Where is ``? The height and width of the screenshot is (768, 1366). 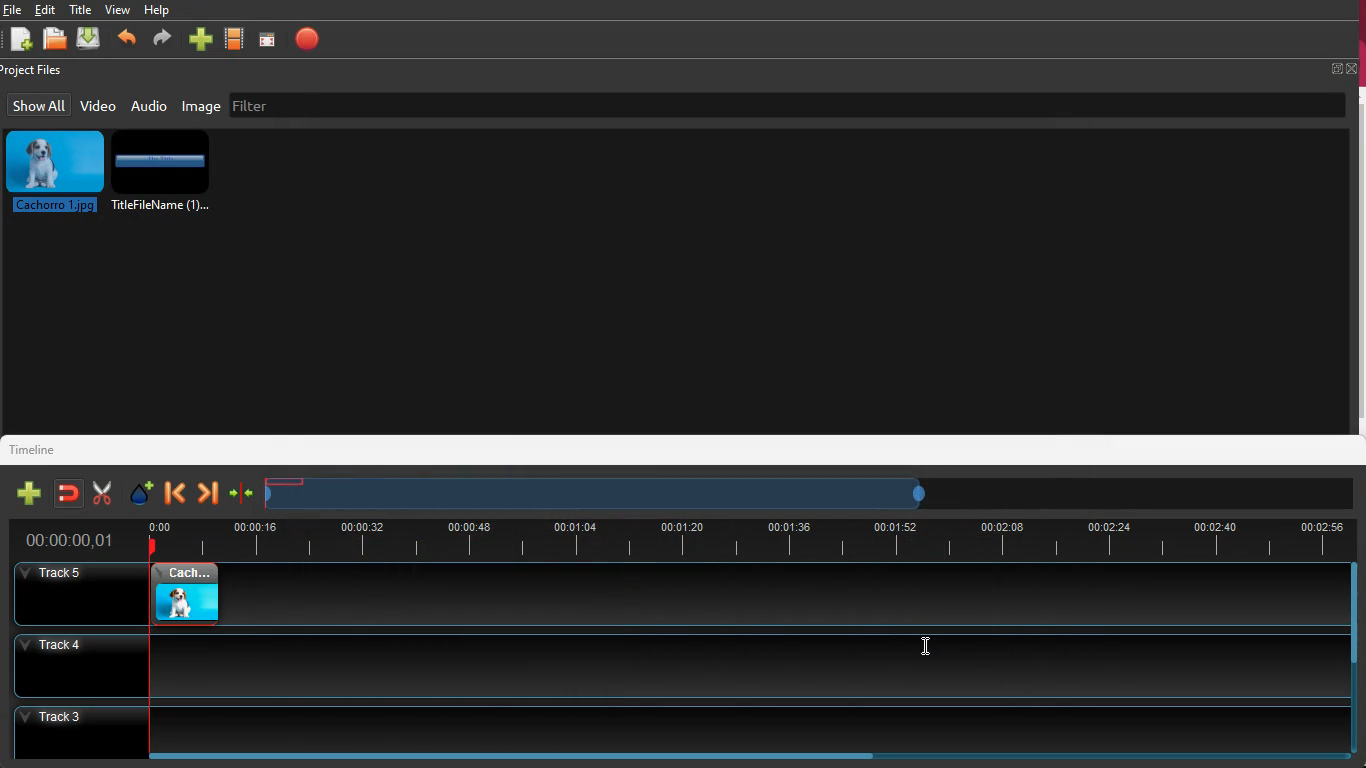  is located at coordinates (71, 541).